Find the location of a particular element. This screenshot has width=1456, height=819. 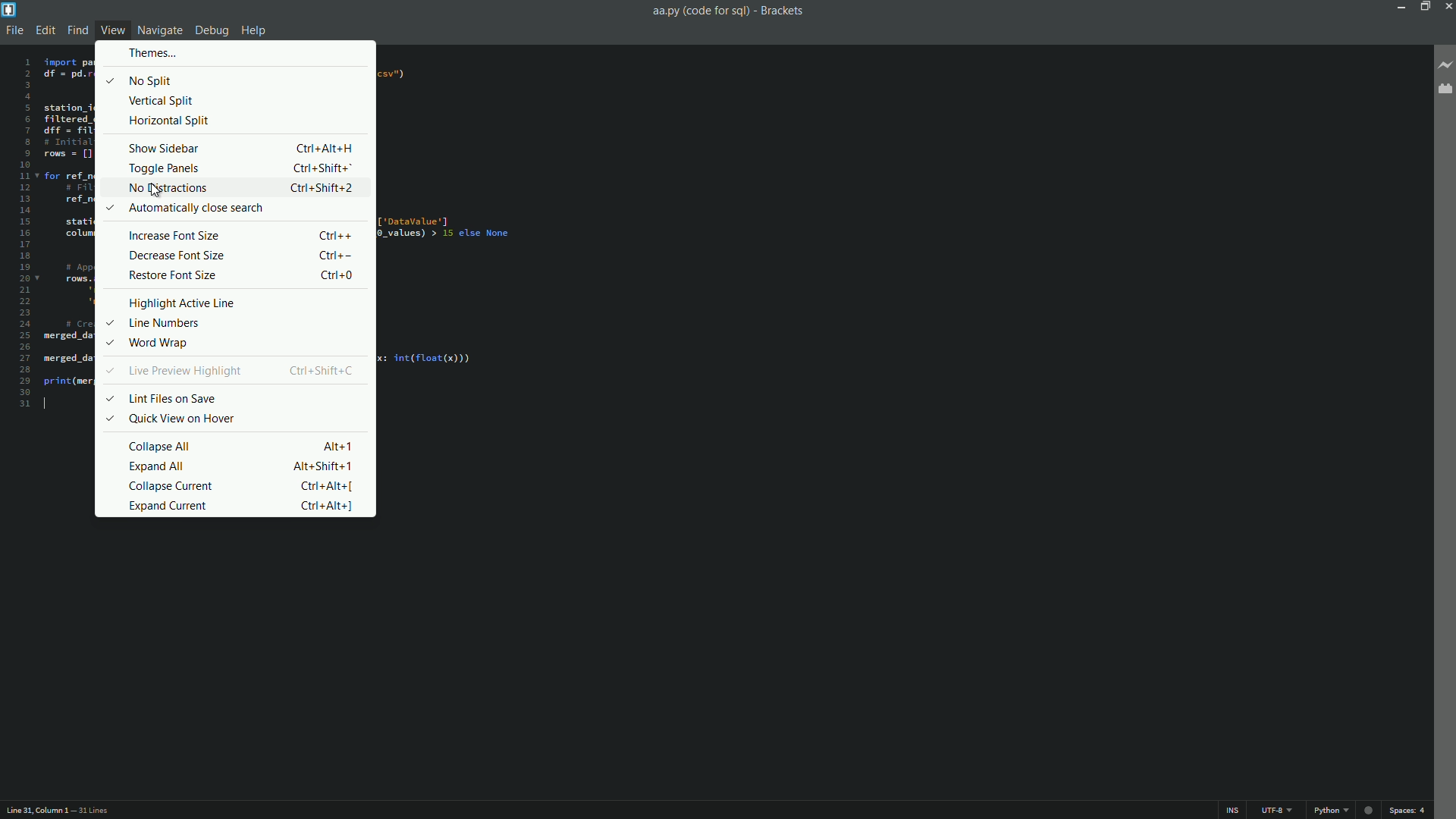

extension manager is located at coordinates (1443, 91).